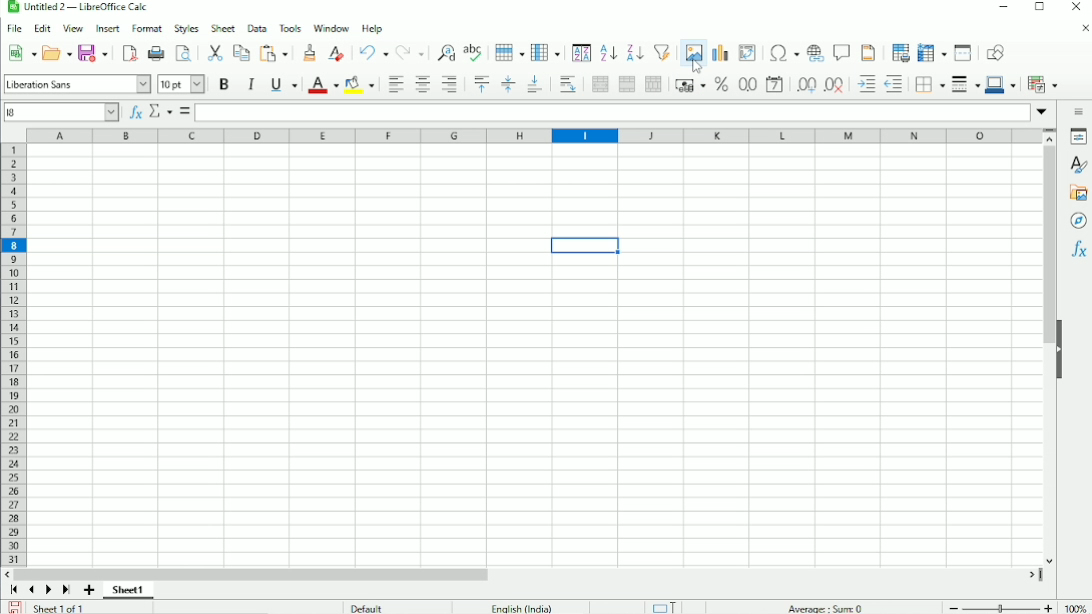 Image resolution: width=1092 pixels, height=614 pixels. I want to click on File , so click(14, 27).